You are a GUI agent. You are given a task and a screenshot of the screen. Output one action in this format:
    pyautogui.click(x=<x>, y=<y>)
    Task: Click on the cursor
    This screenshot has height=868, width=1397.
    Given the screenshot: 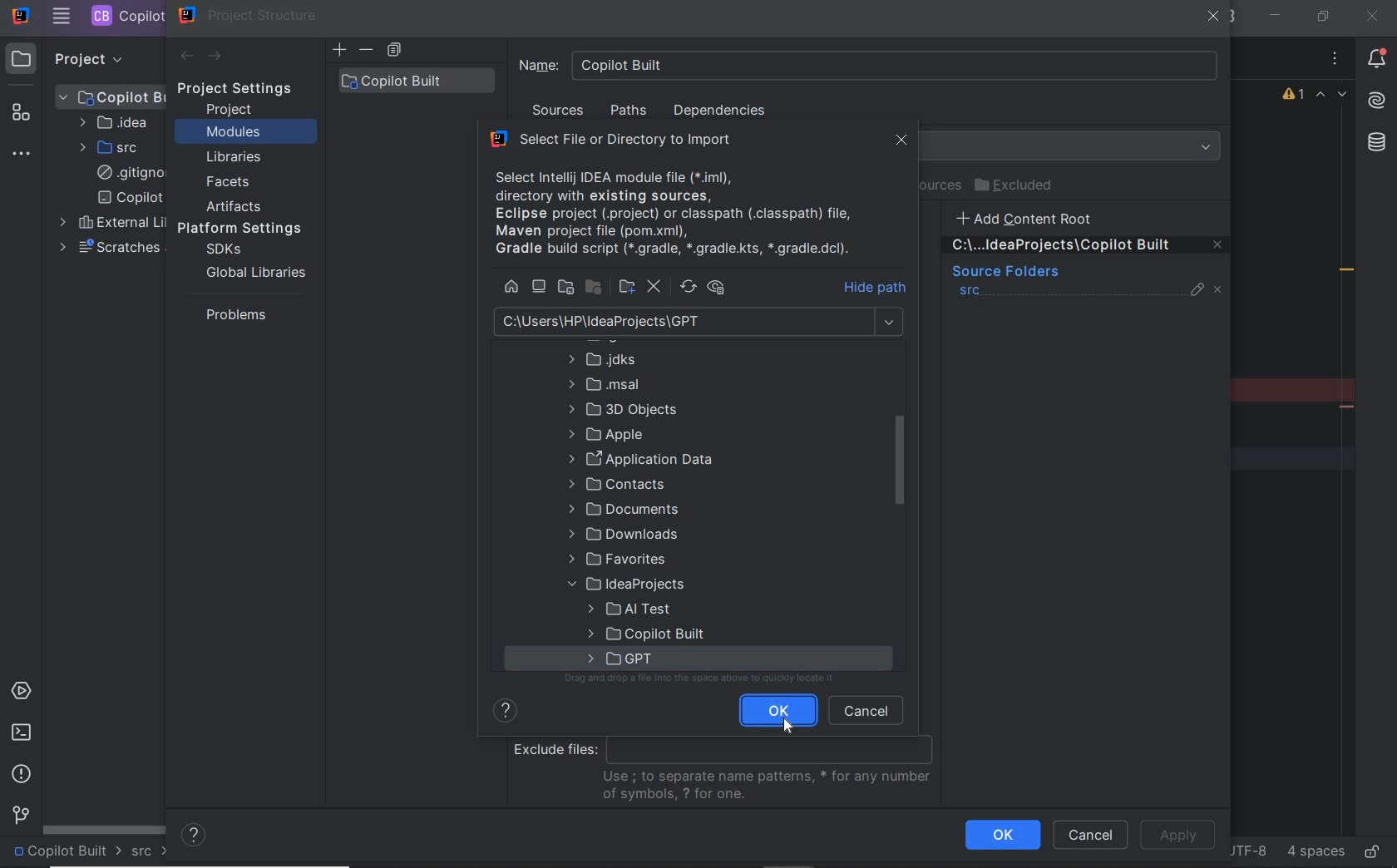 What is the action you would take?
    pyautogui.click(x=789, y=725)
    